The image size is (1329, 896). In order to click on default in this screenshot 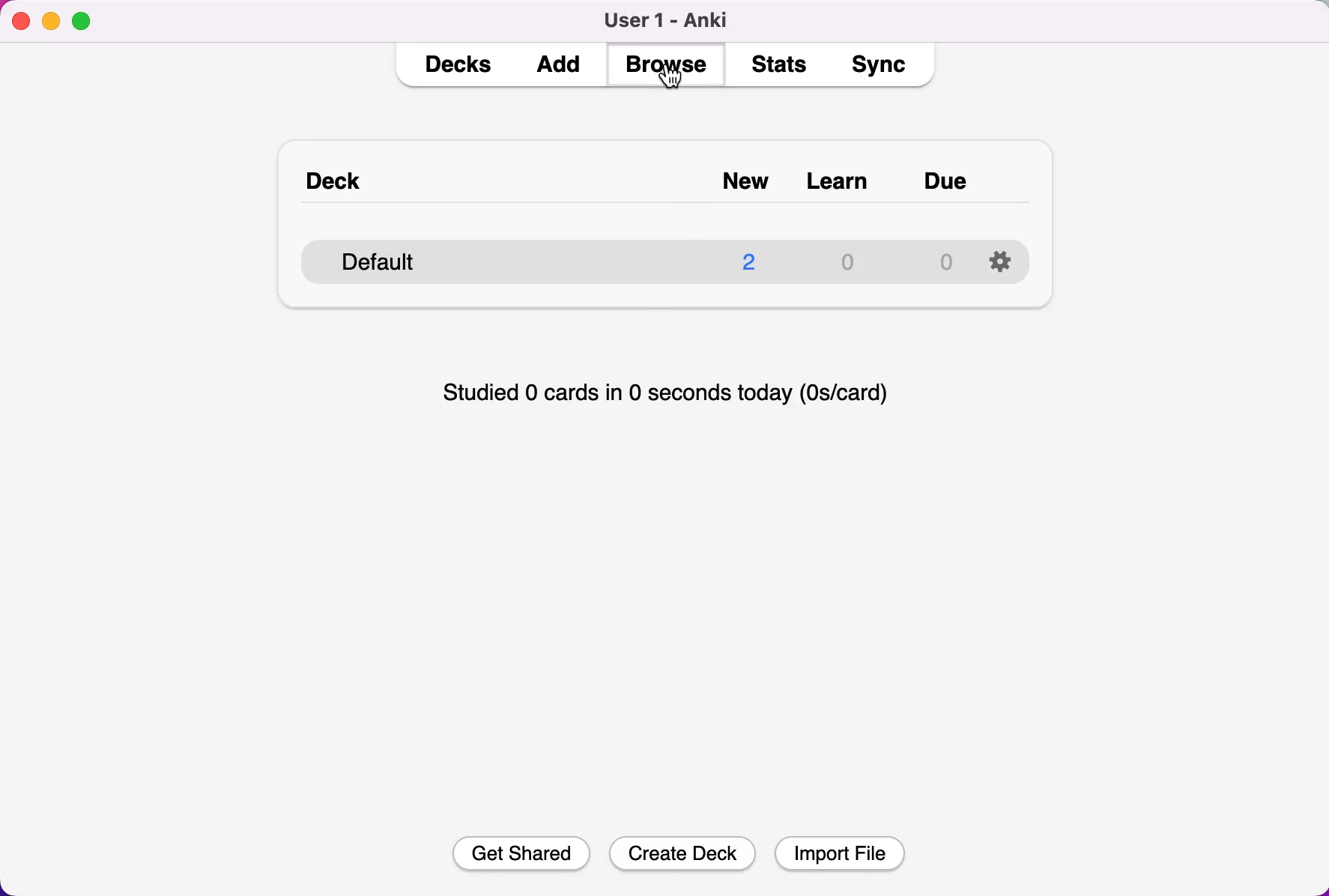, I will do `click(379, 260)`.